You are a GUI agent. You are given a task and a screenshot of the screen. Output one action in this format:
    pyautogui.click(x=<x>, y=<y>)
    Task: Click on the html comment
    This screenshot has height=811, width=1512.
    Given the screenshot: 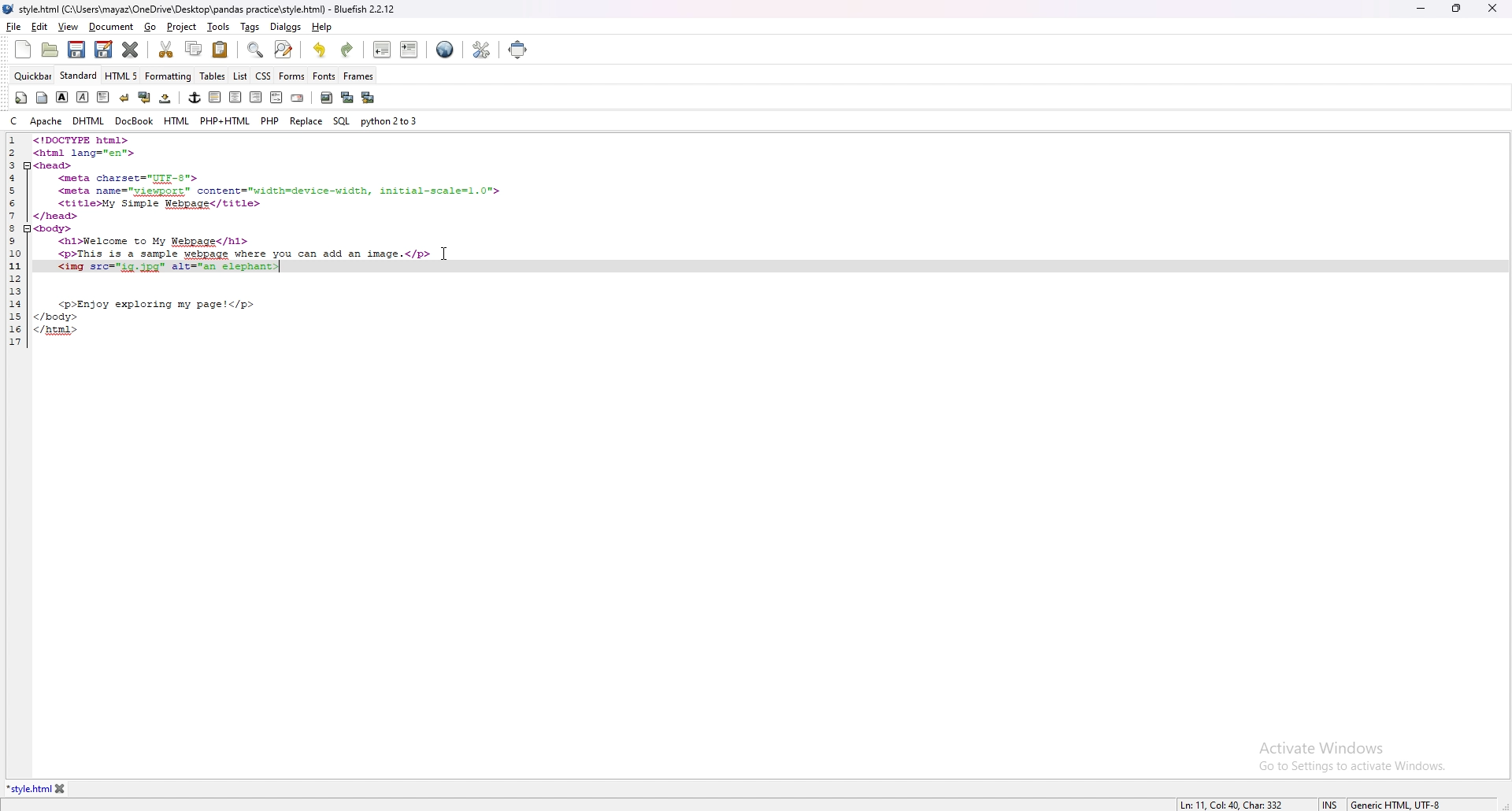 What is the action you would take?
    pyautogui.click(x=277, y=98)
    